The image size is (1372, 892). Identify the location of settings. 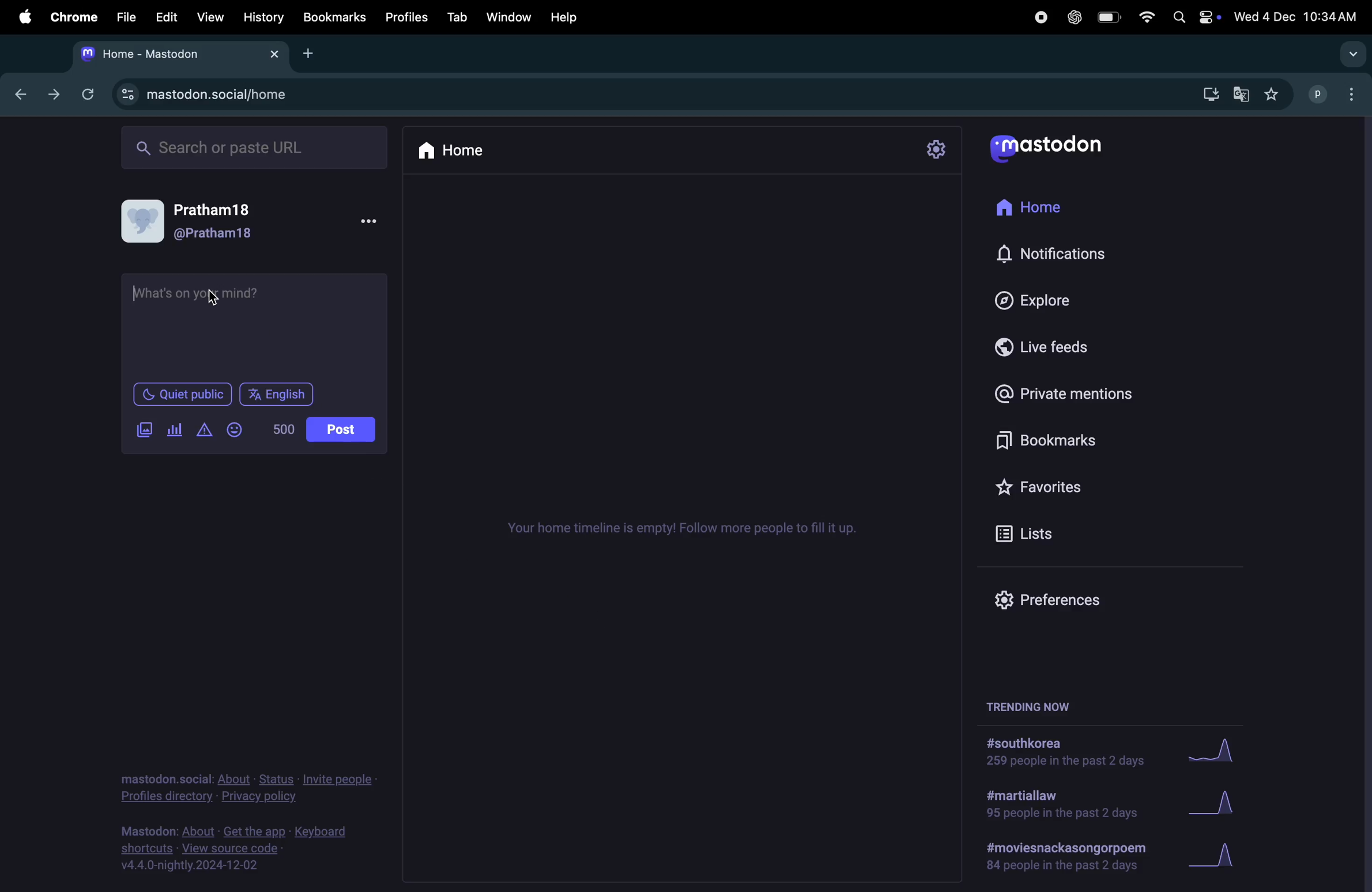
(939, 149).